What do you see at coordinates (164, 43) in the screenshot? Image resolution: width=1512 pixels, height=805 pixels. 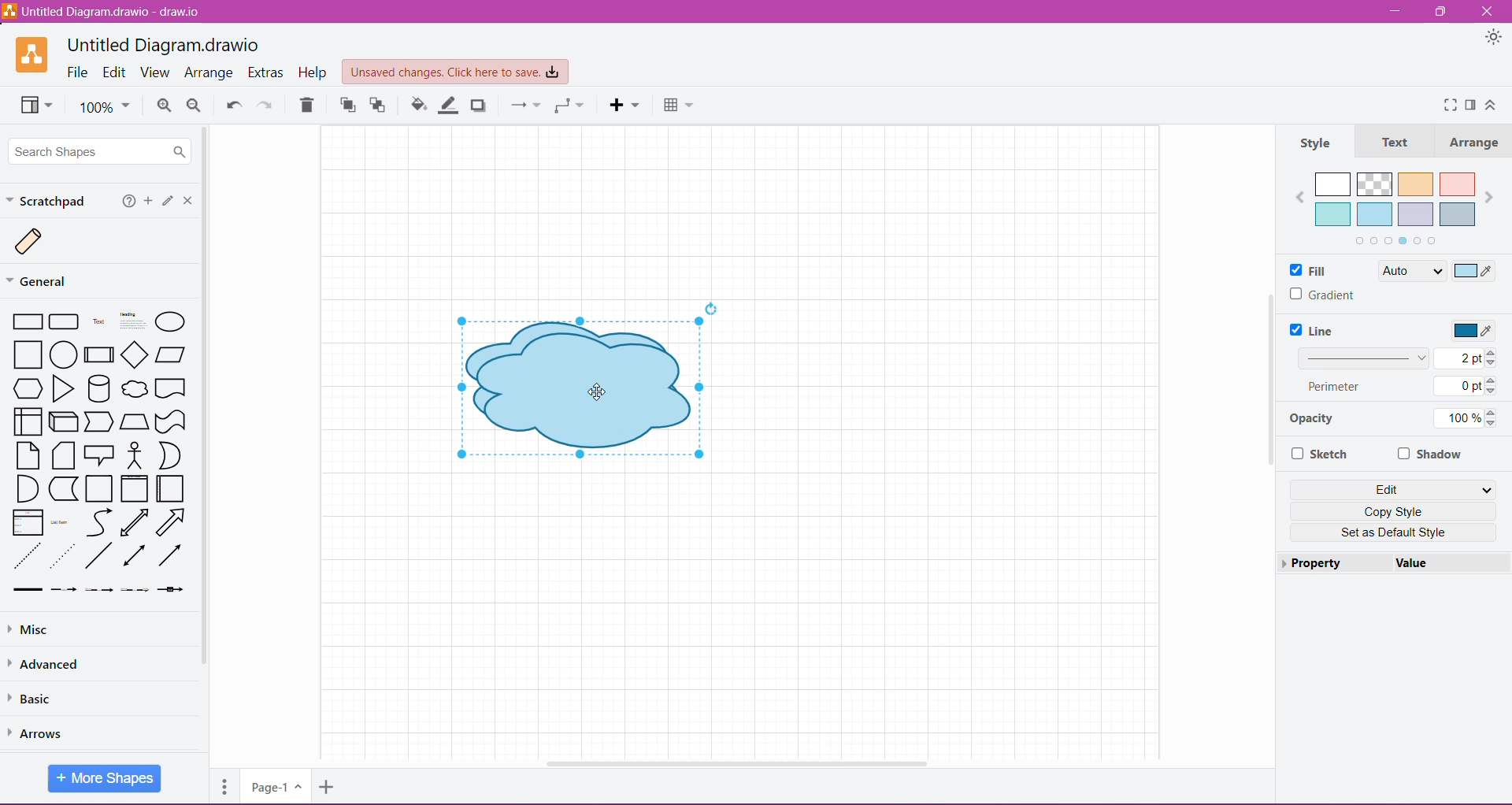 I see `Untitled Diagram.draw.io` at bounding box center [164, 43].